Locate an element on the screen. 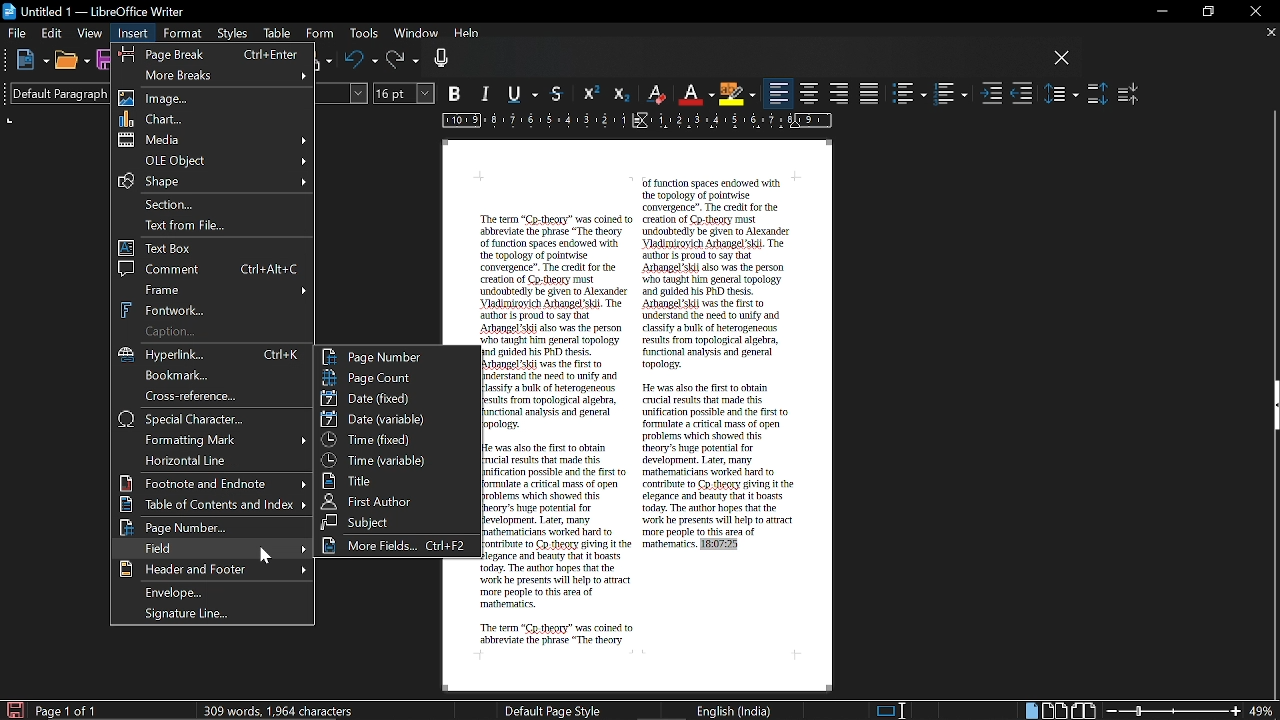 This screenshot has width=1280, height=720. Default page style is located at coordinates (553, 710).